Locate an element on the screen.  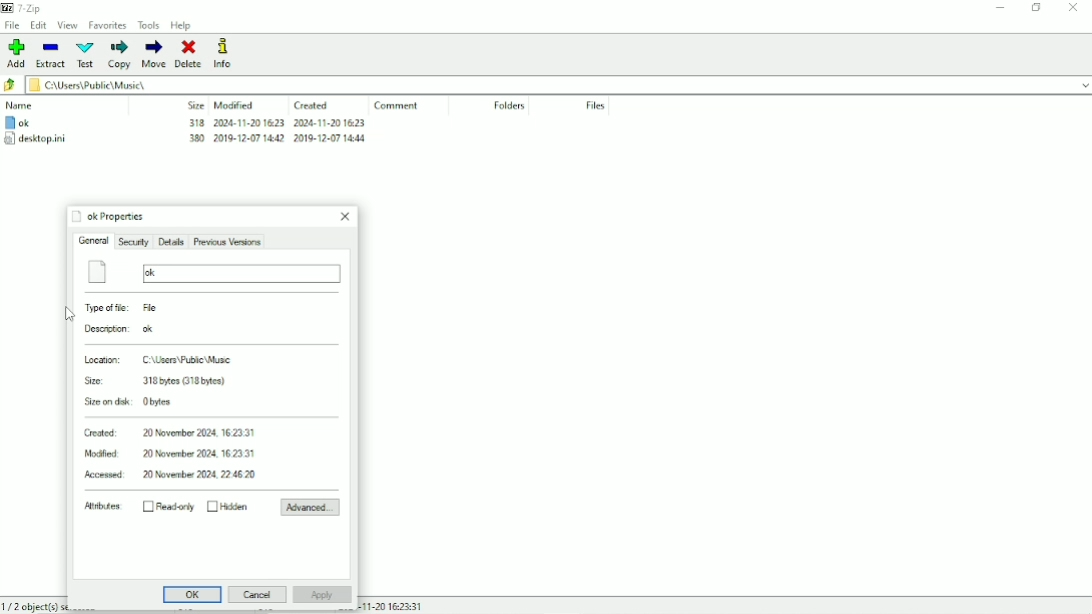
Info is located at coordinates (225, 53).